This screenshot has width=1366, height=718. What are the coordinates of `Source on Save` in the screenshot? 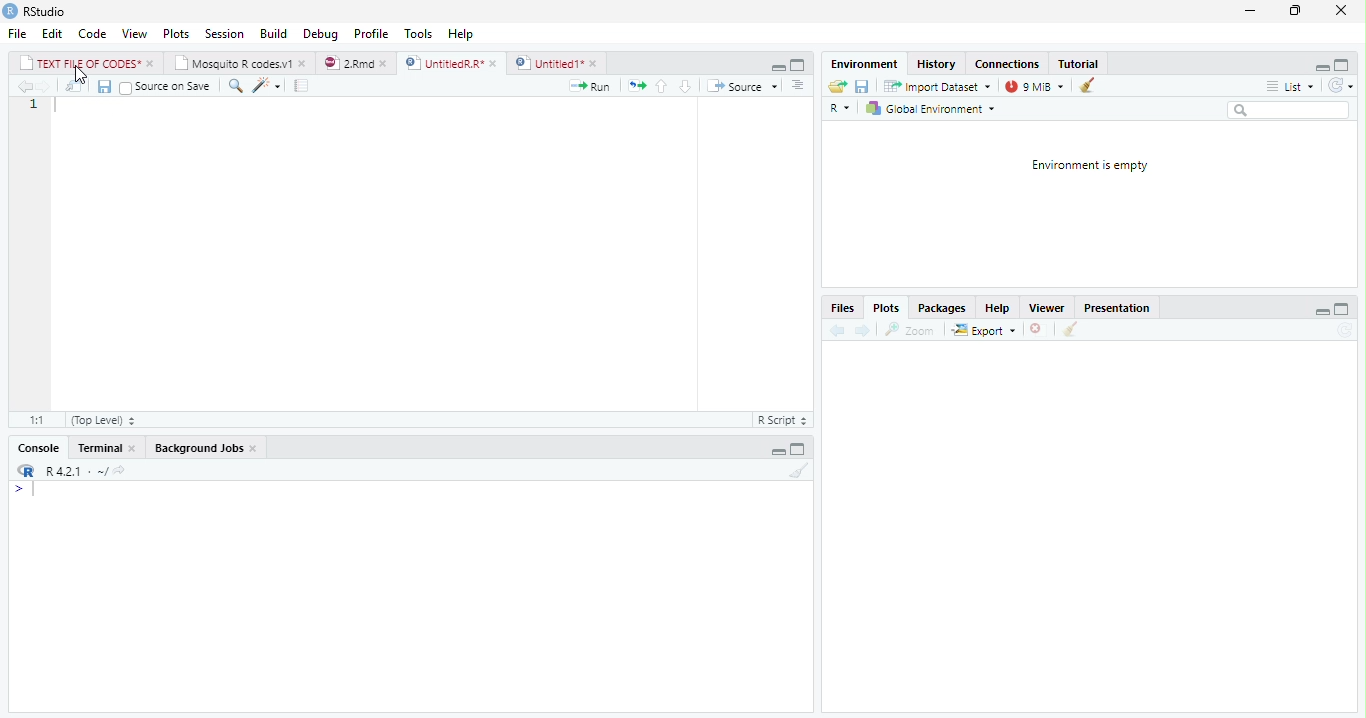 It's located at (168, 87).